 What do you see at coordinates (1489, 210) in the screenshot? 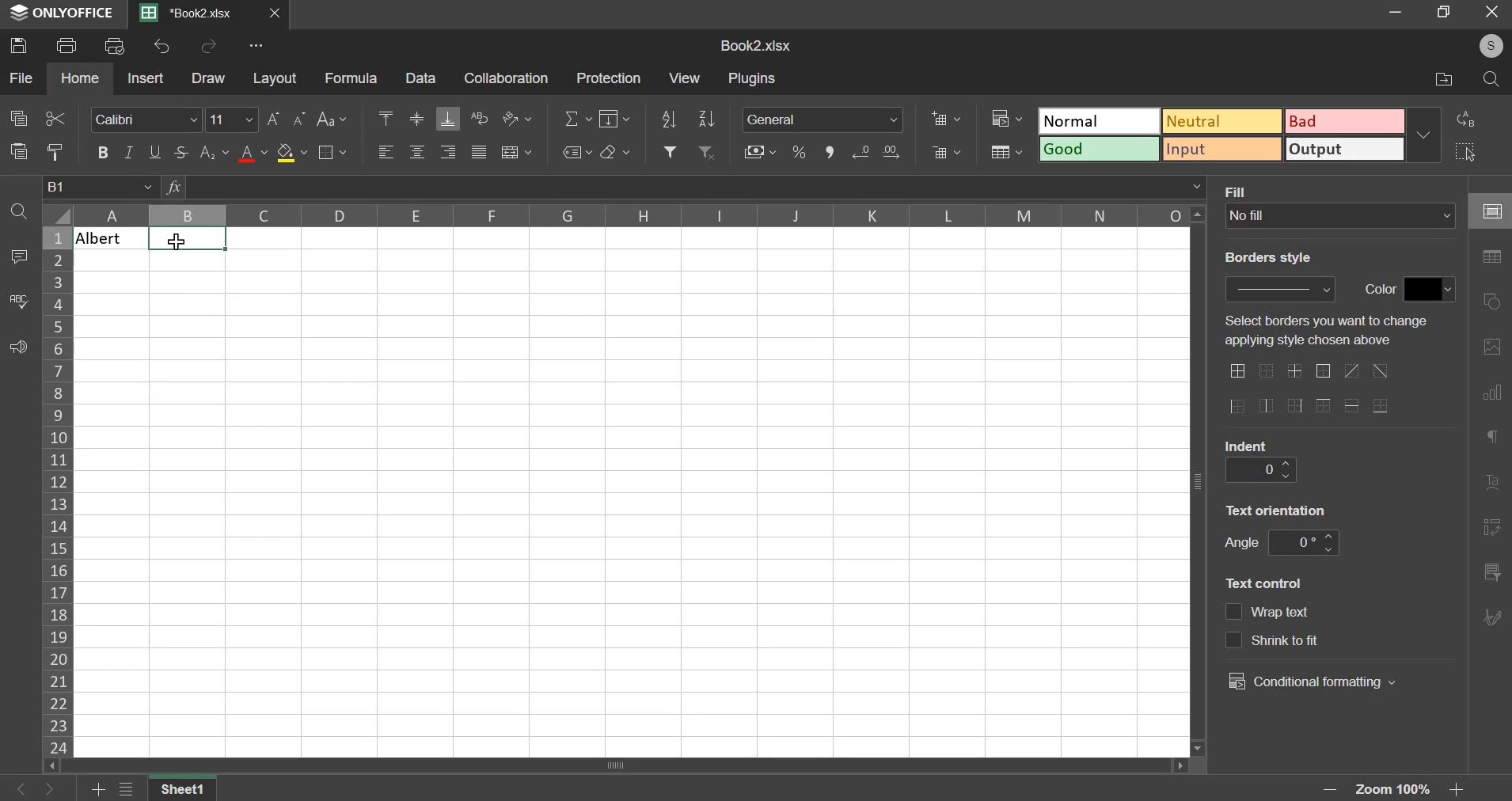
I see `cell settings` at bounding box center [1489, 210].